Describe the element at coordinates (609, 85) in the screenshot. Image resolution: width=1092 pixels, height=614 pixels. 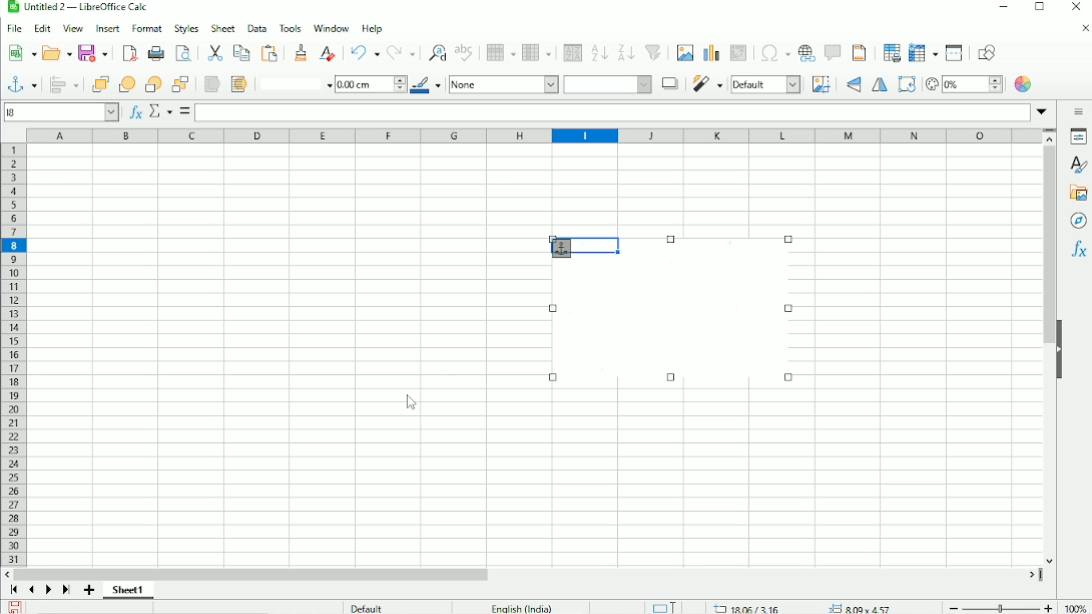
I see `area style/filling ` at that location.